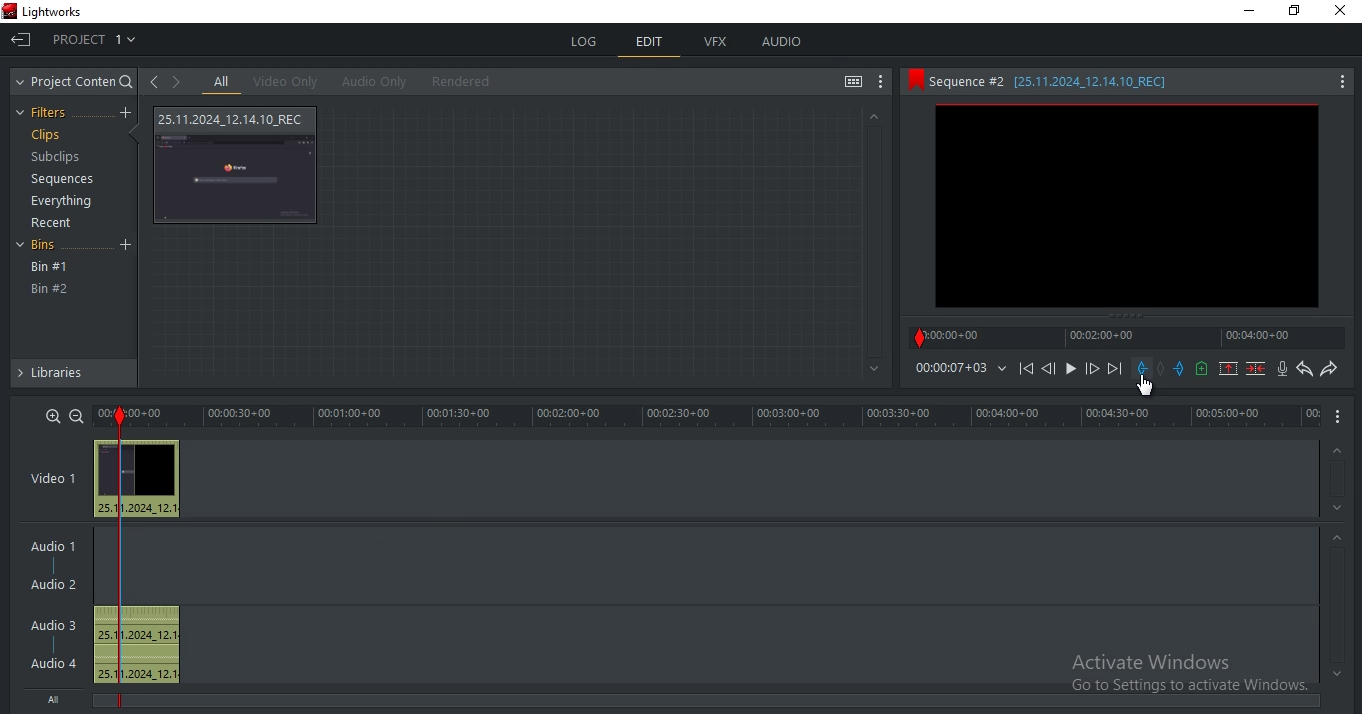 This screenshot has width=1362, height=714. I want to click on All, so click(59, 700).